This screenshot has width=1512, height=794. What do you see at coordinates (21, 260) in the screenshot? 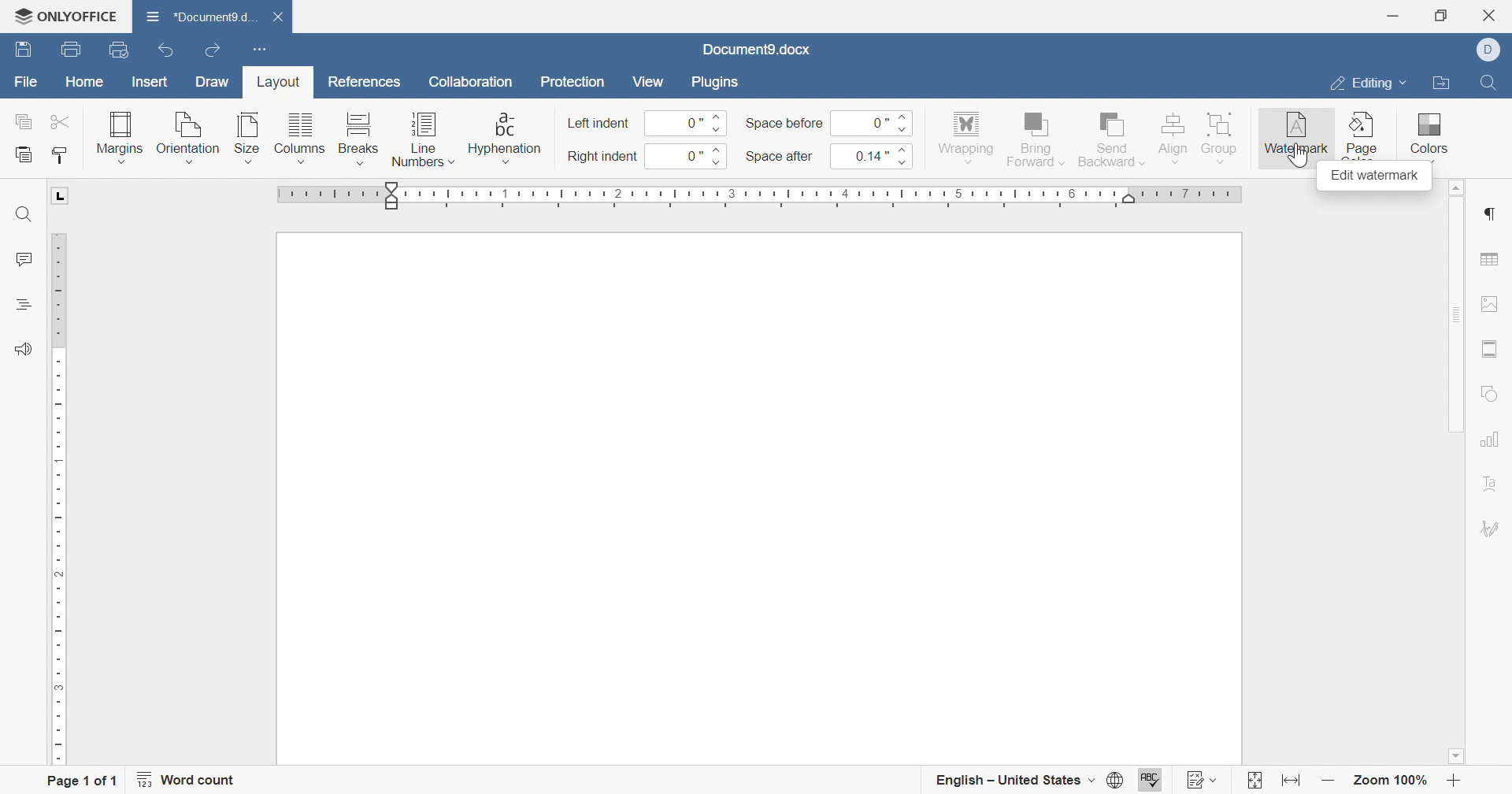
I see `comments` at bounding box center [21, 260].